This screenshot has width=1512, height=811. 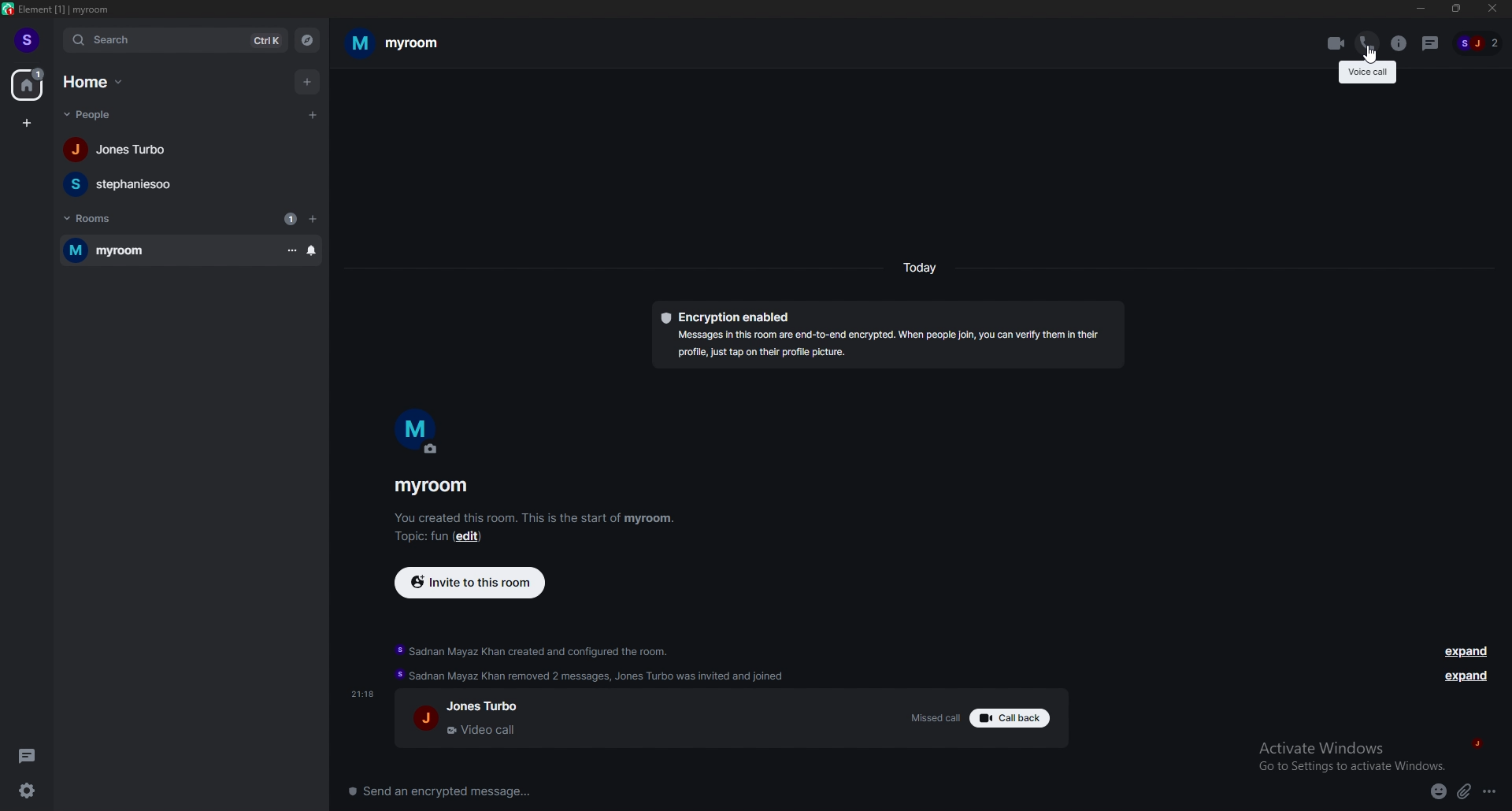 I want to click on You created this room. This is the start of myroom., so click(x=534, y=517).